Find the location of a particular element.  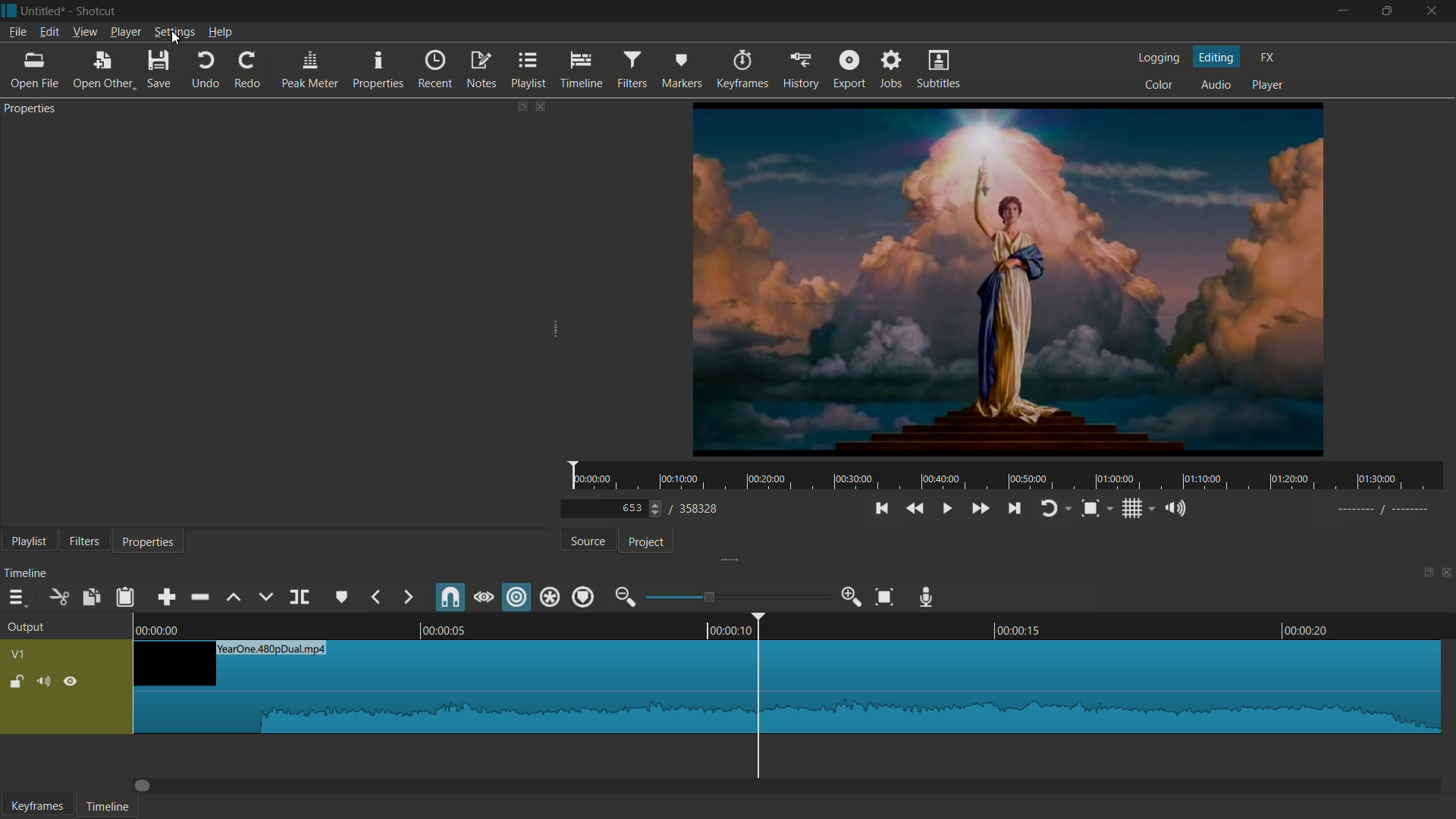

show volume control is located at coordinates (1175, 508).